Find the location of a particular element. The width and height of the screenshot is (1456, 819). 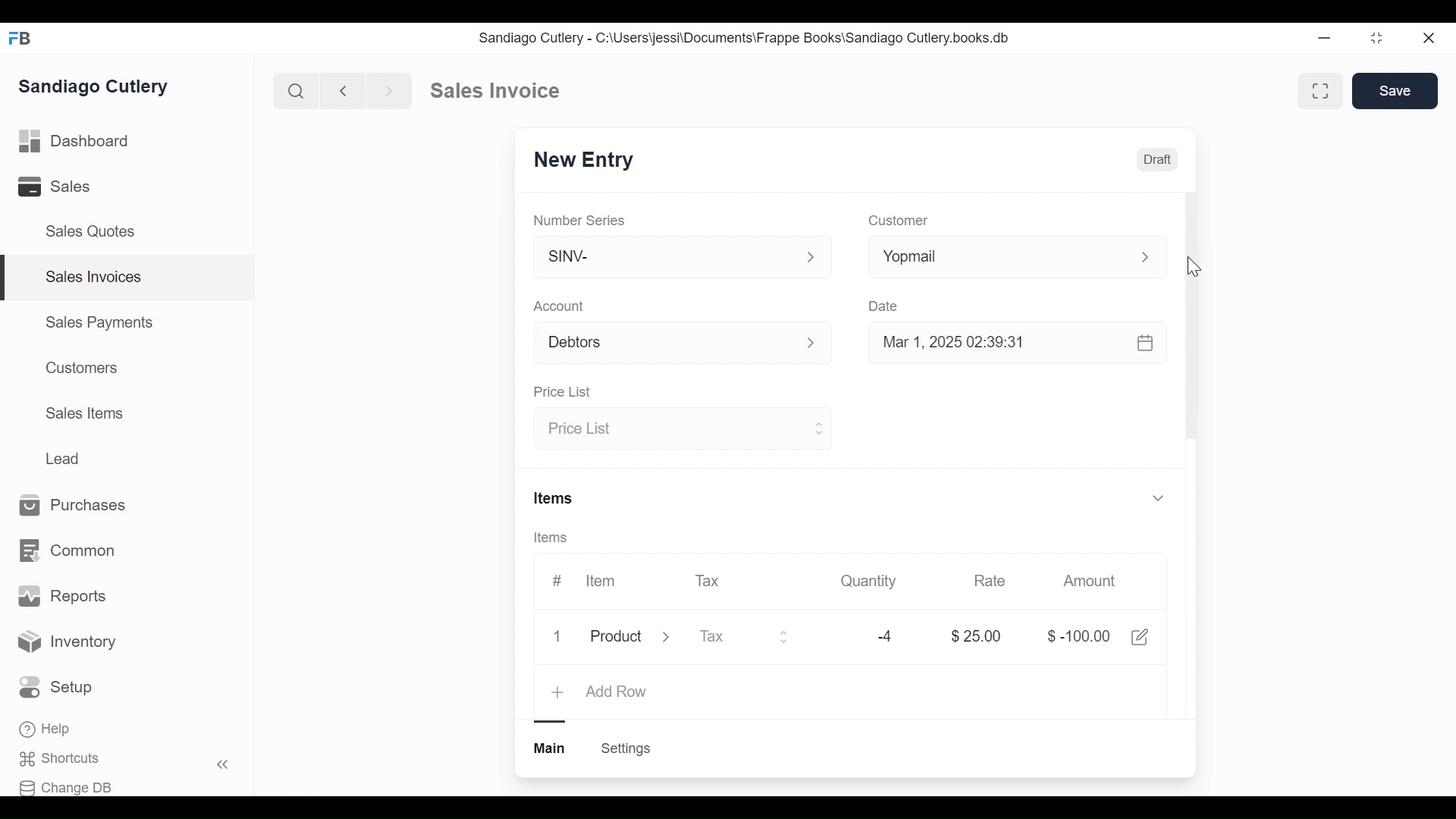

Tax is located at coordinates (745, 637).